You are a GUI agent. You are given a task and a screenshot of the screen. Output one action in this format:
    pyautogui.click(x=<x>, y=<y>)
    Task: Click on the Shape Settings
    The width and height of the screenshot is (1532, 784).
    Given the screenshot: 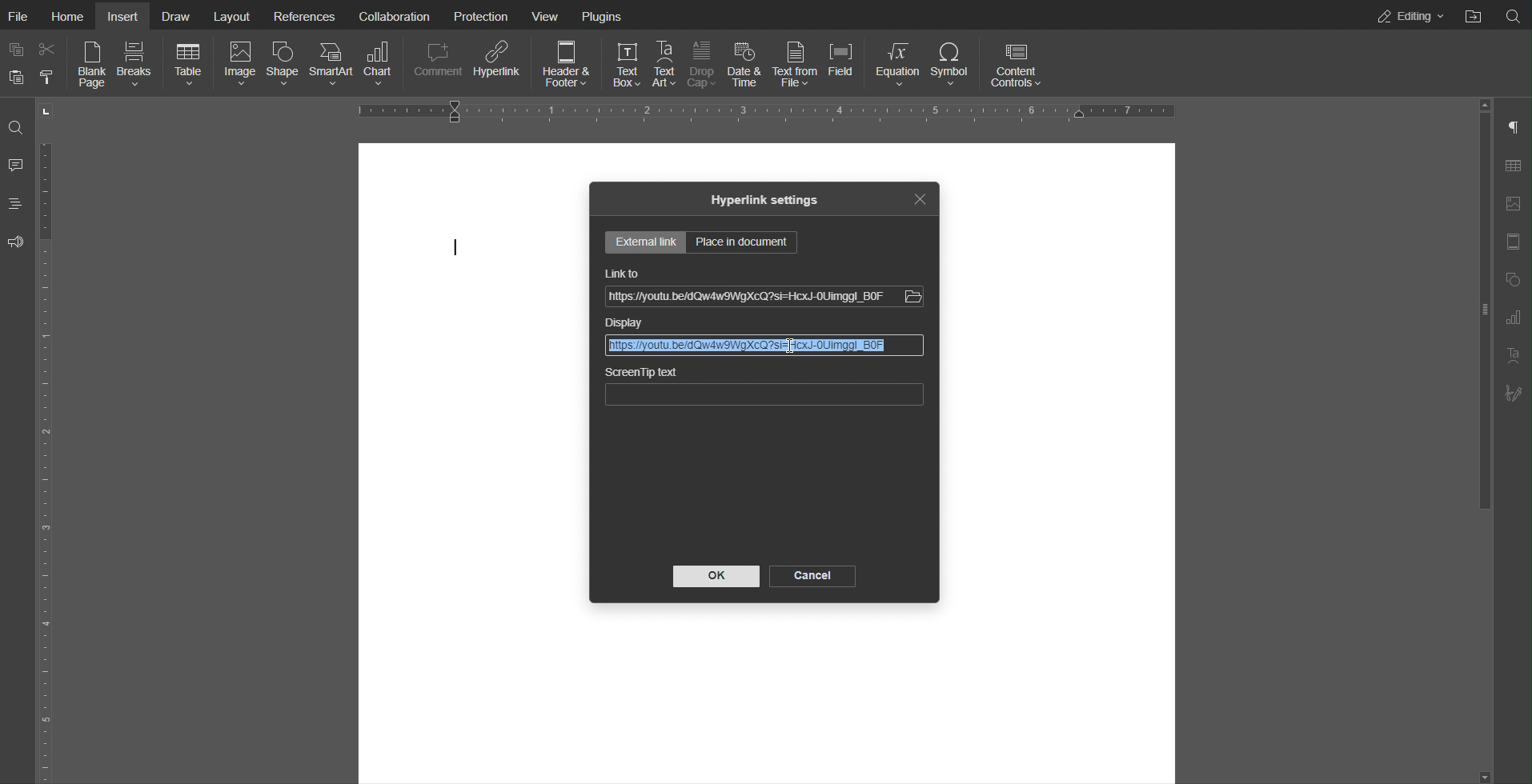 What is the action you would take?
    pyautogui.click(x=1512, y=279)
    